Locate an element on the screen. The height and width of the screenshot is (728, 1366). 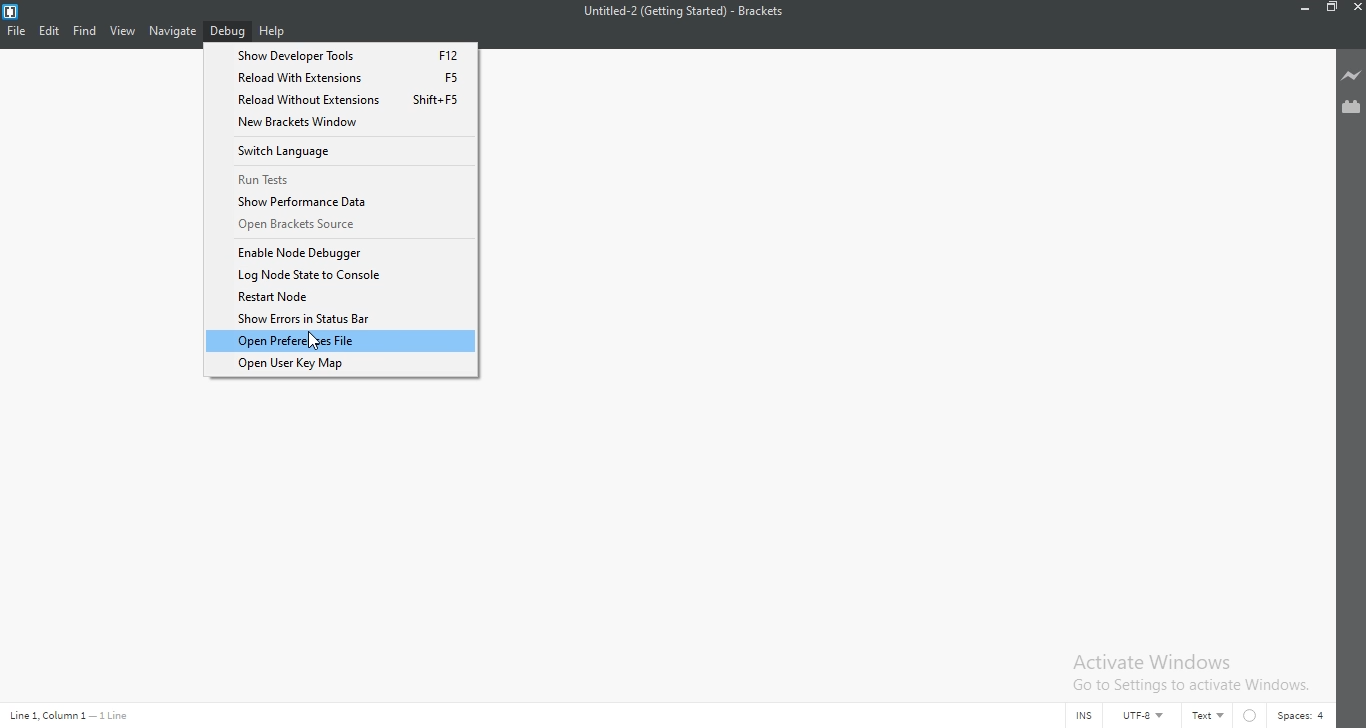
Show Errors in Status Bar is located at coordinates (340, 319).